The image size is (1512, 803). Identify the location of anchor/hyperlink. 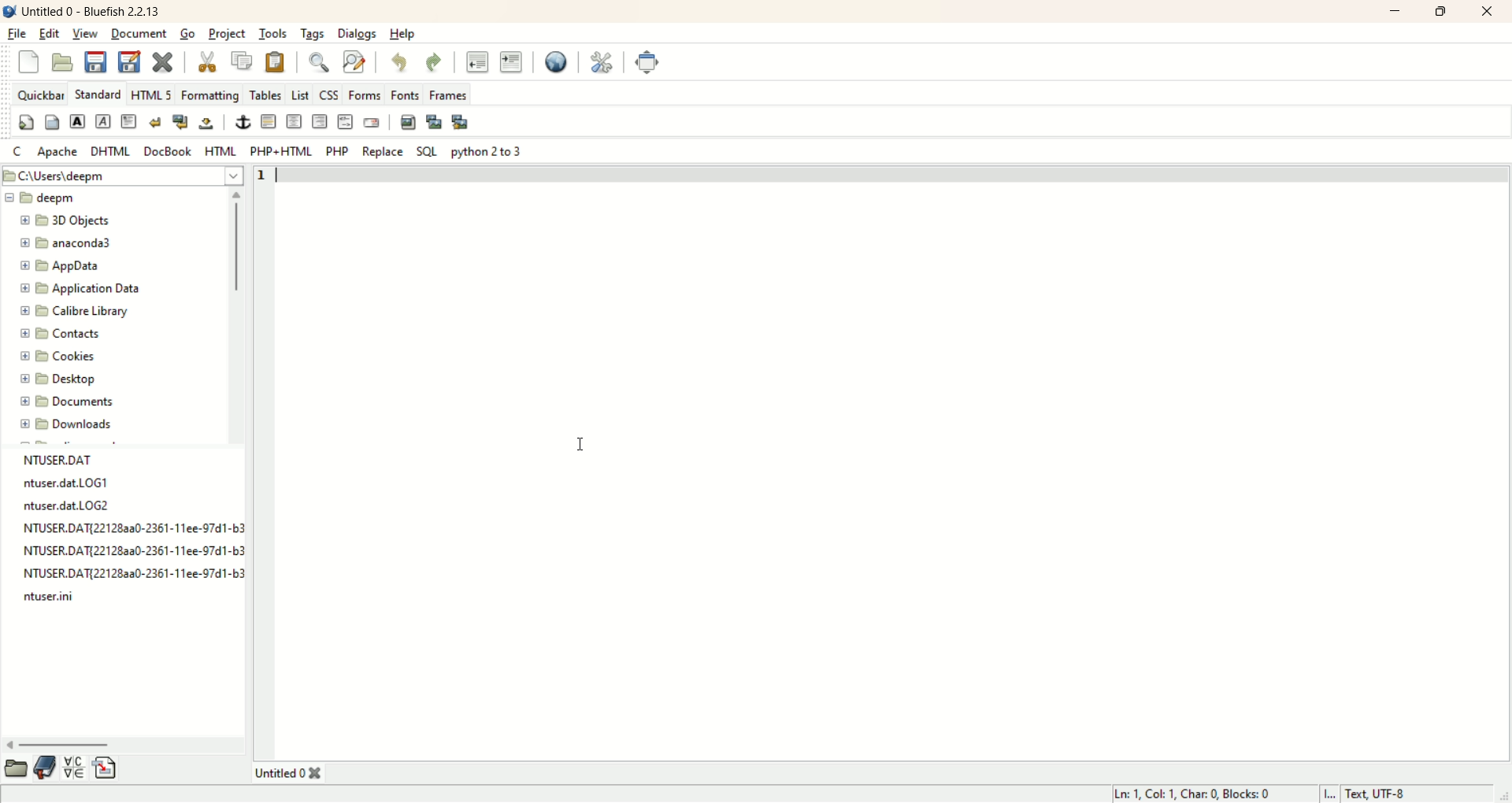
(242, 123).